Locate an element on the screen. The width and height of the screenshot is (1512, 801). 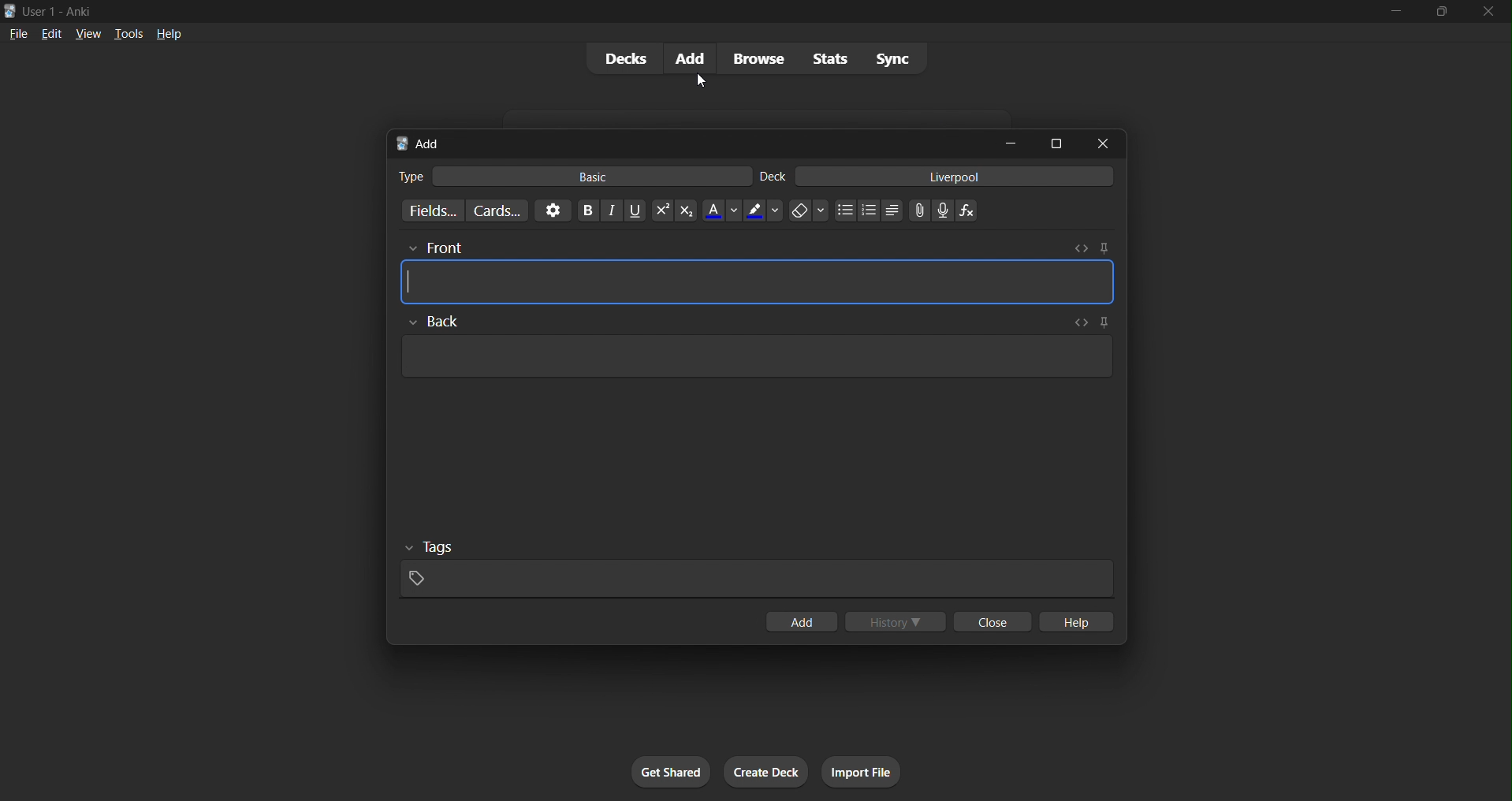
import file is located at coordinates (859, 769).